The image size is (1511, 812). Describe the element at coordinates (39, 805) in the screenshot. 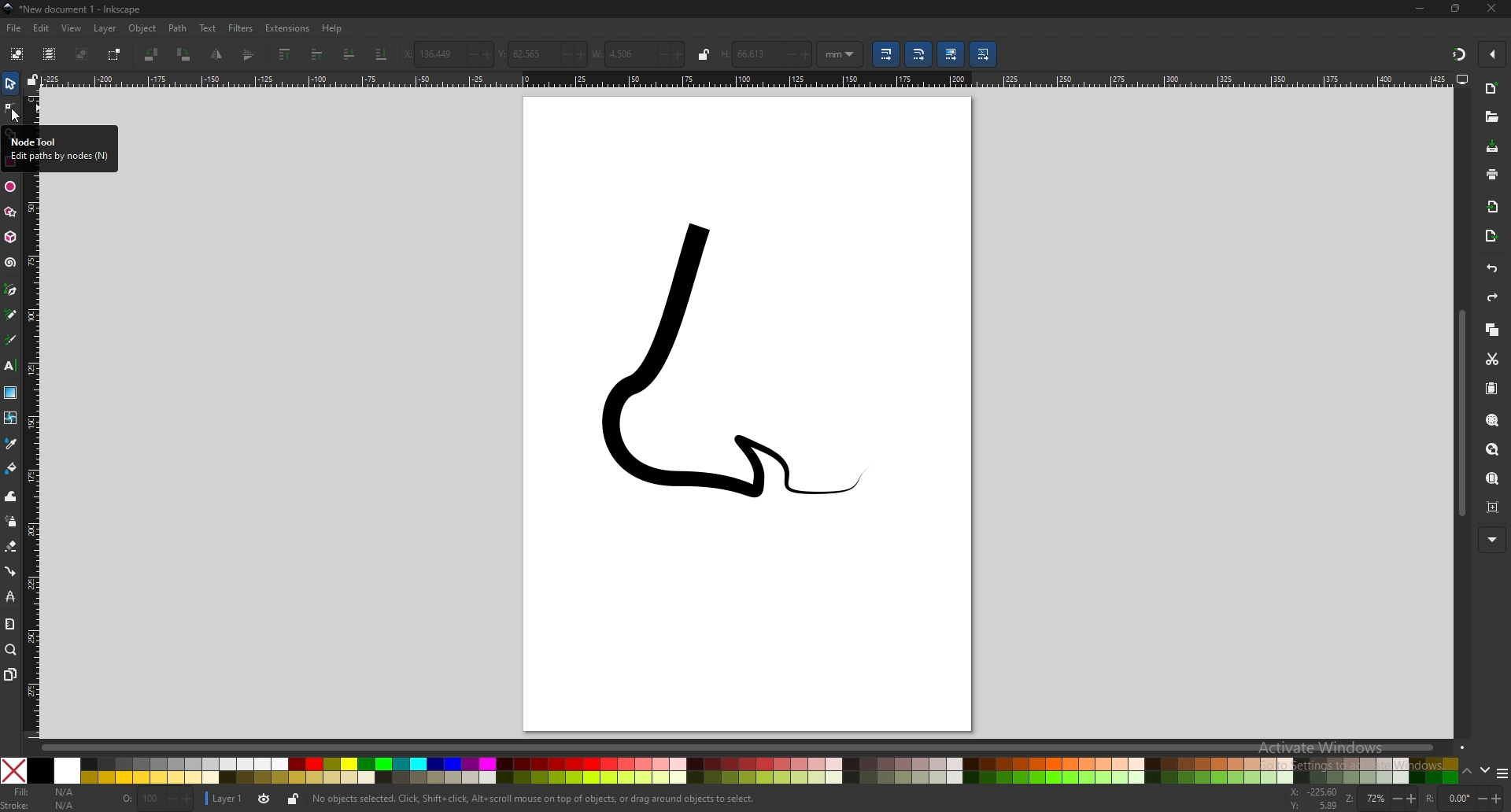

I see `stroke` at that location.